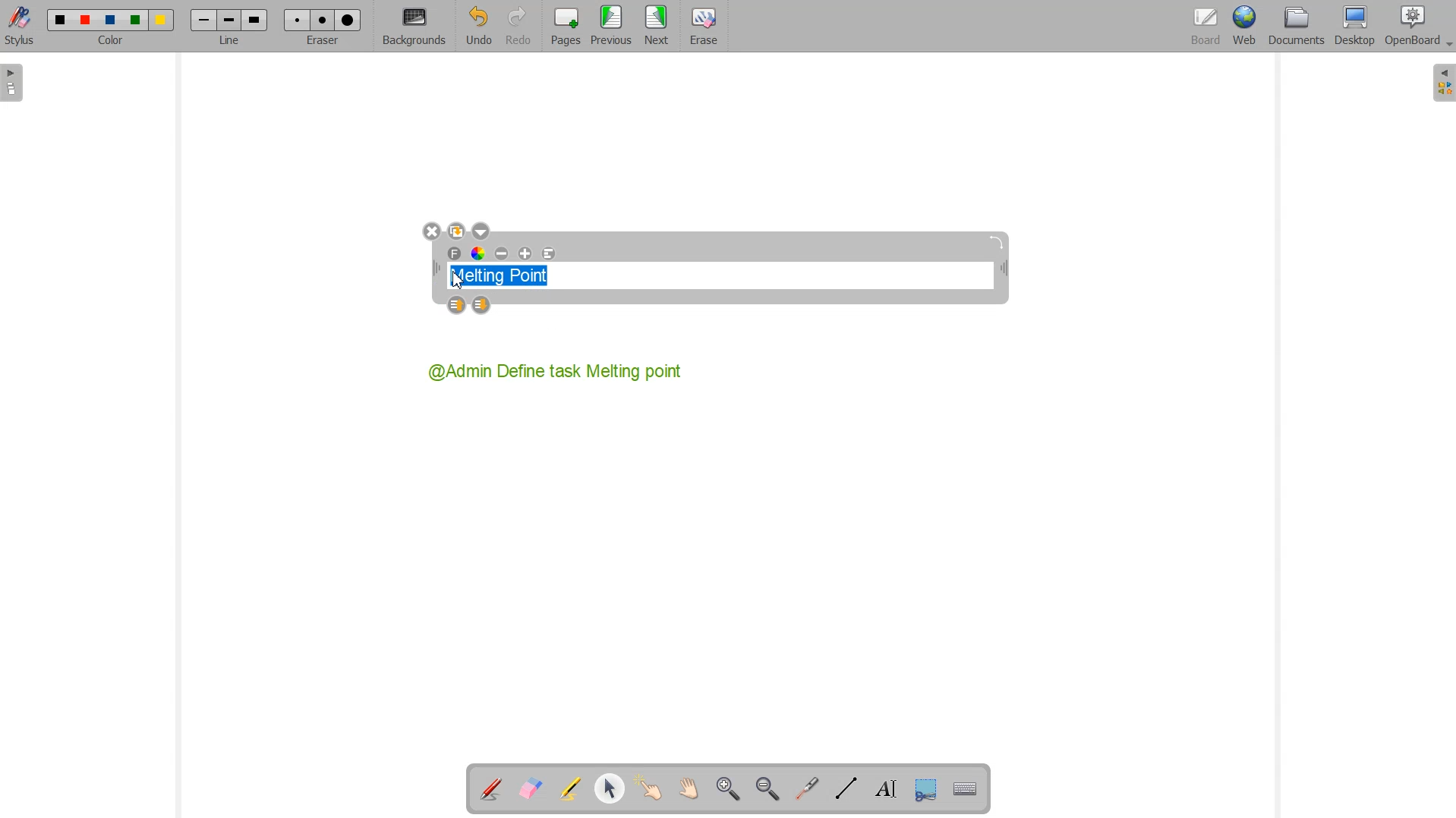 Image resolution: width=1456 pixels, height=818 pixels. What do you see at coordinates (767, 788) in the screenshot?
I see `Zoom Out` at bounding box center [767, 788].